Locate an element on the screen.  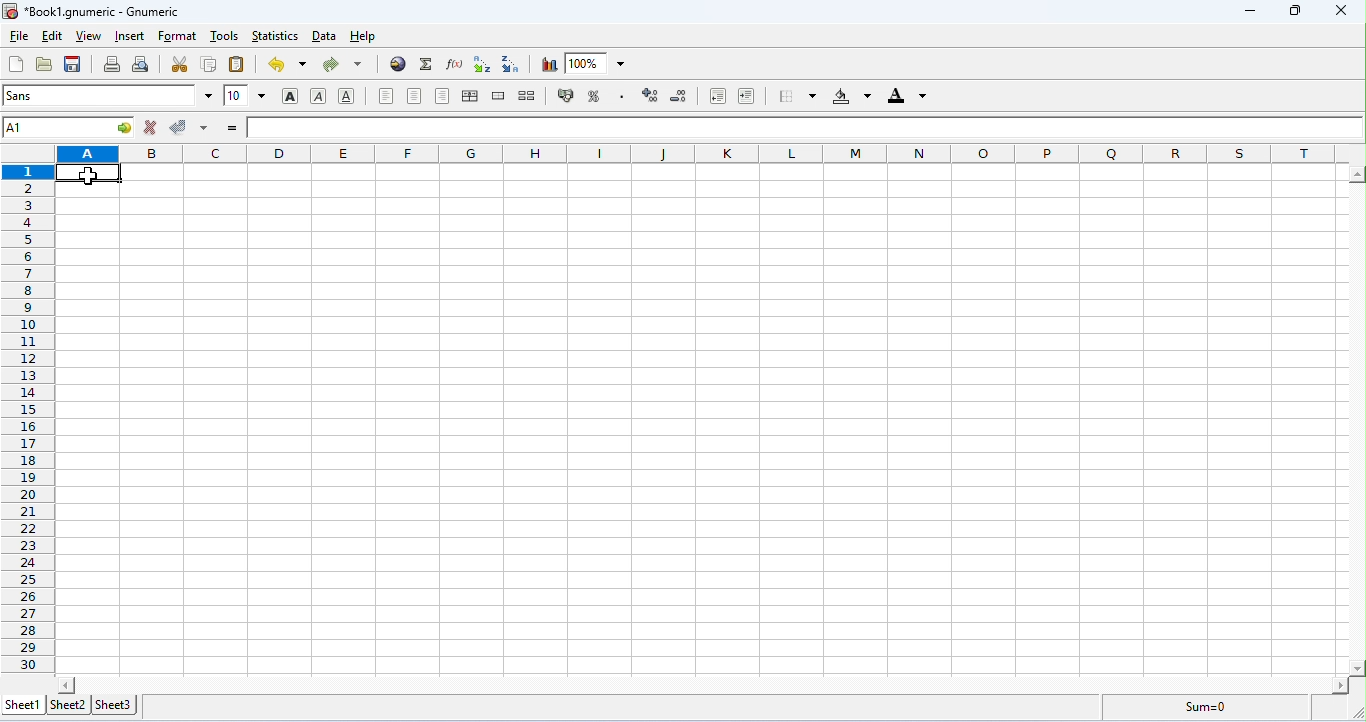
maximize is located at coordinates (1292, 11).